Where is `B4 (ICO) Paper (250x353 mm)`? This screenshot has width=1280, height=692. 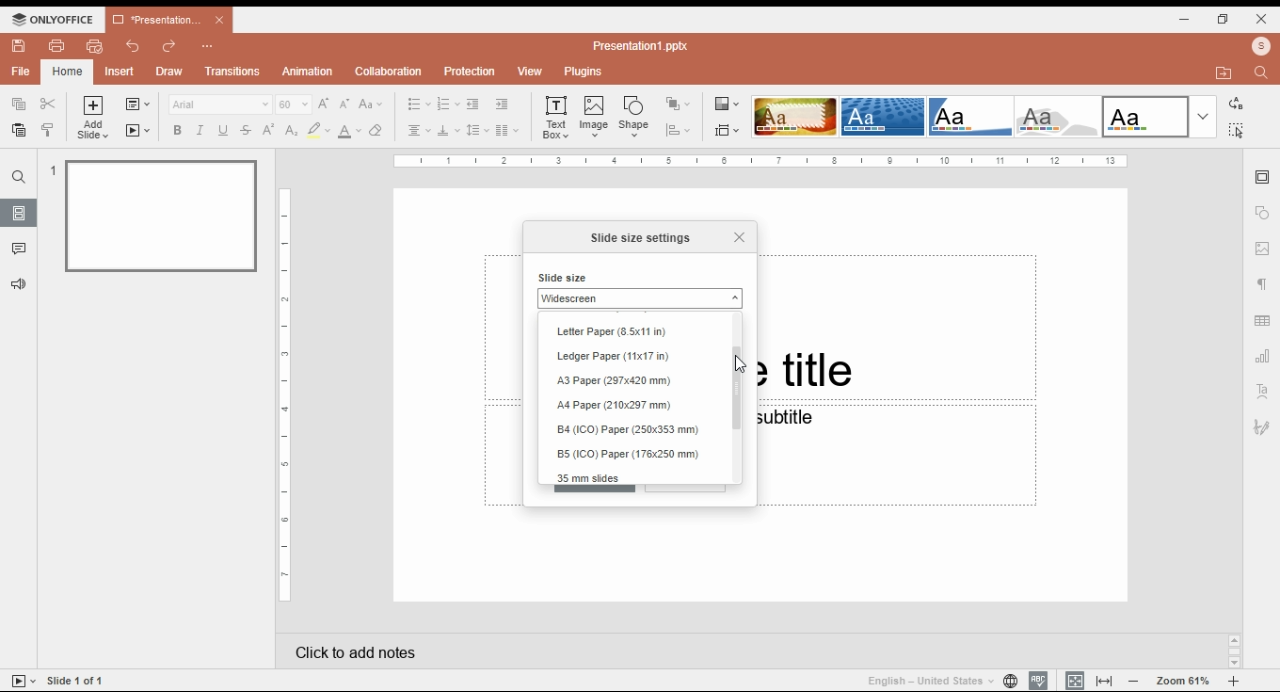
B4 (ICO) Paper (250x353 mm) is located at coordinates (633, 431).